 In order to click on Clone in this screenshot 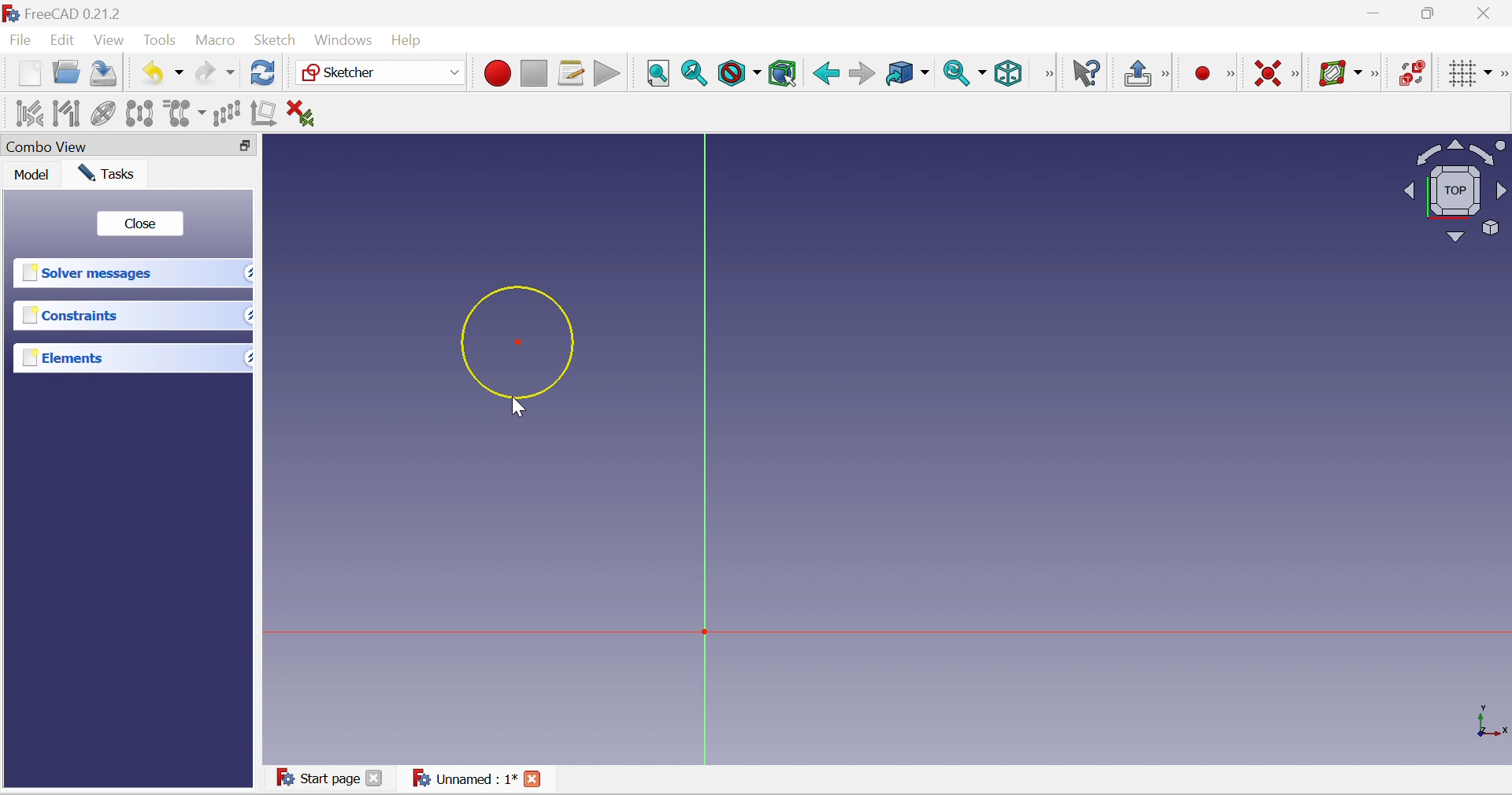, I will do `click(182, 115)`.